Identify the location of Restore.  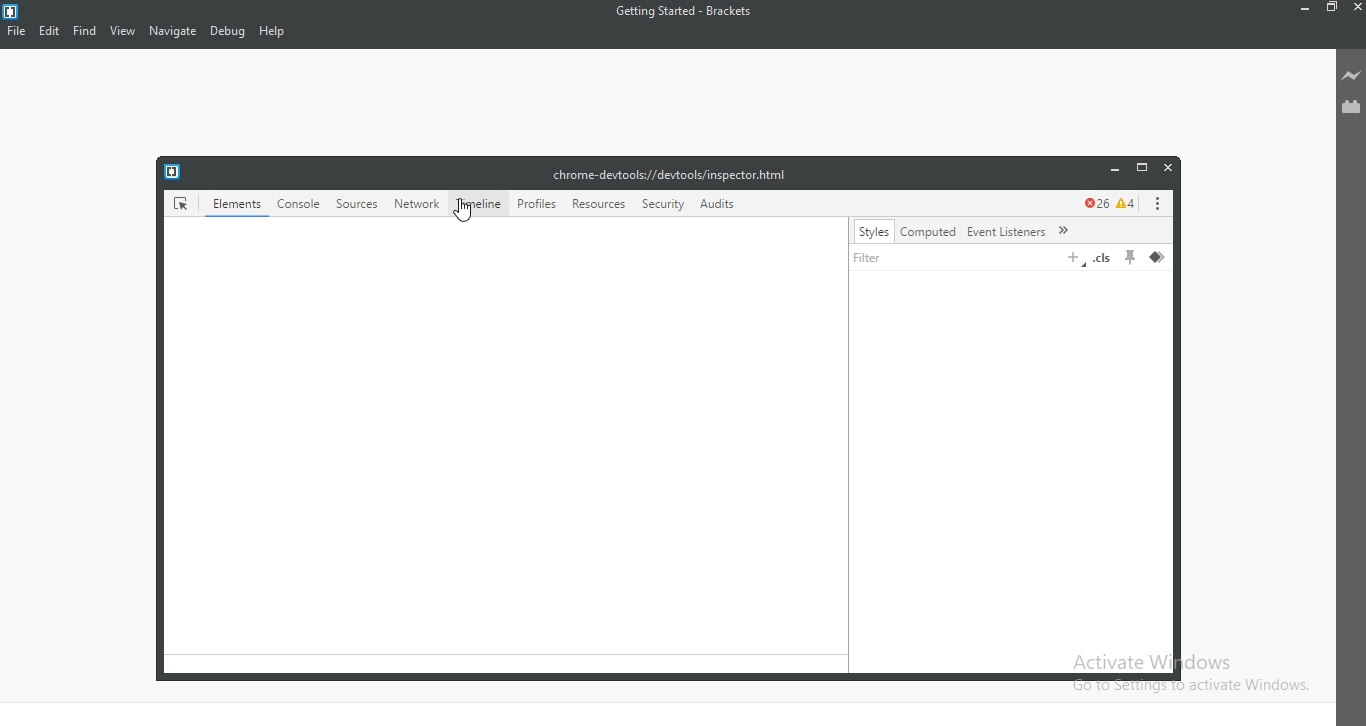
(1332, 8).